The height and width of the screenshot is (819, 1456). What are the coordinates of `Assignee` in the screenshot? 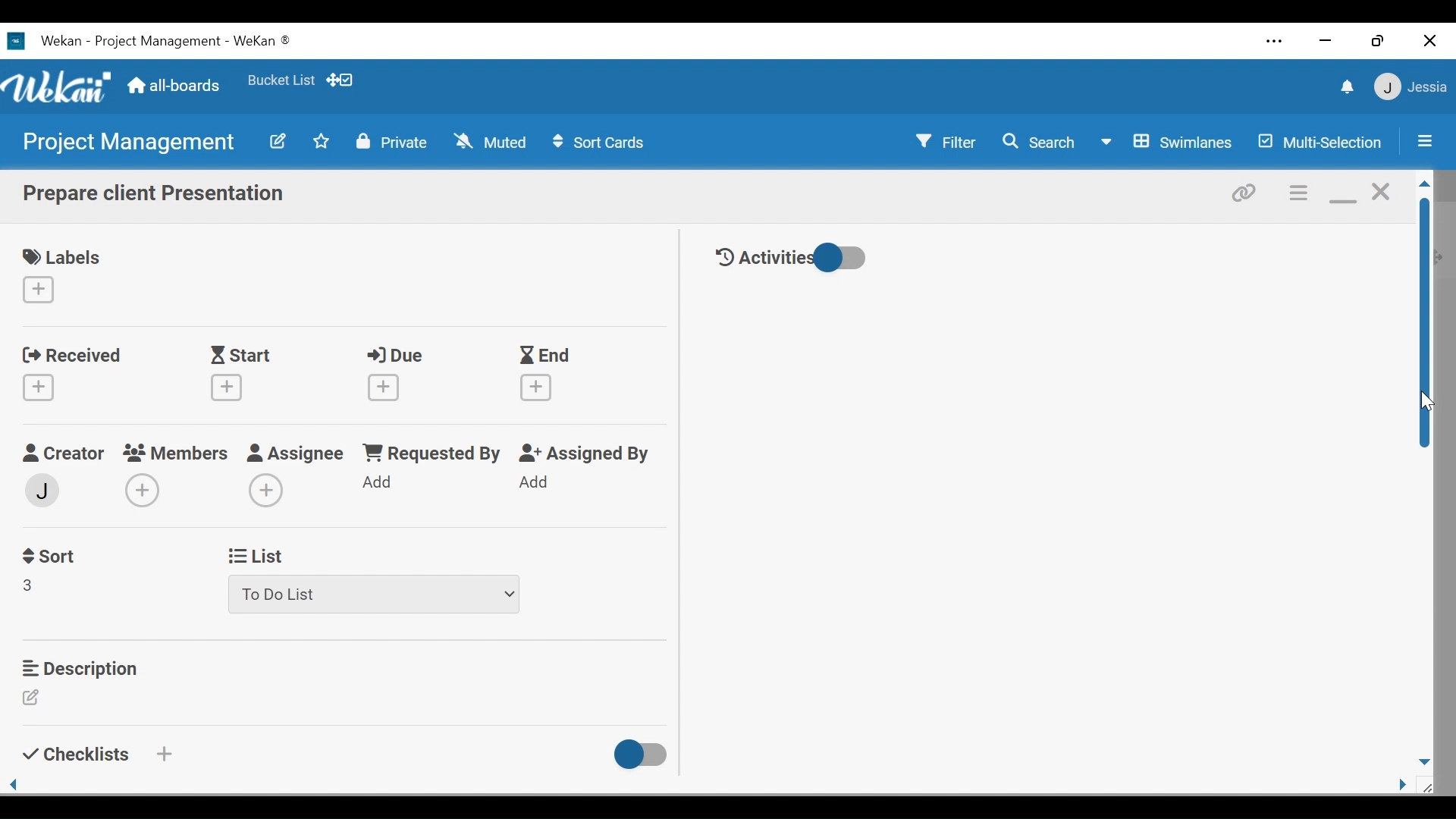 It's located at (294, 453).